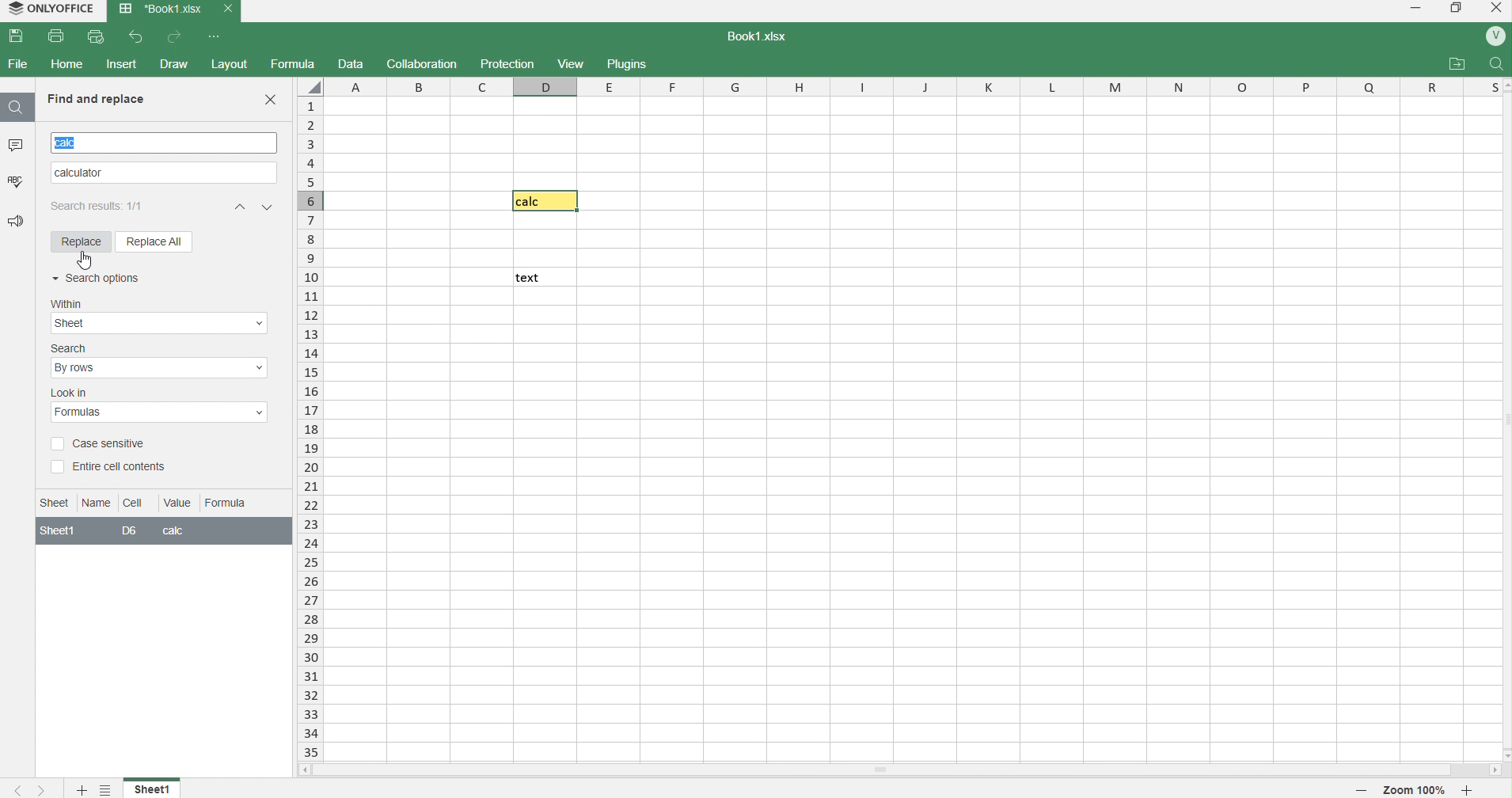 The image size is (1512, 798). Describe the element at coordinates (177, 64) in the screenshot. I see `draw` at that location.